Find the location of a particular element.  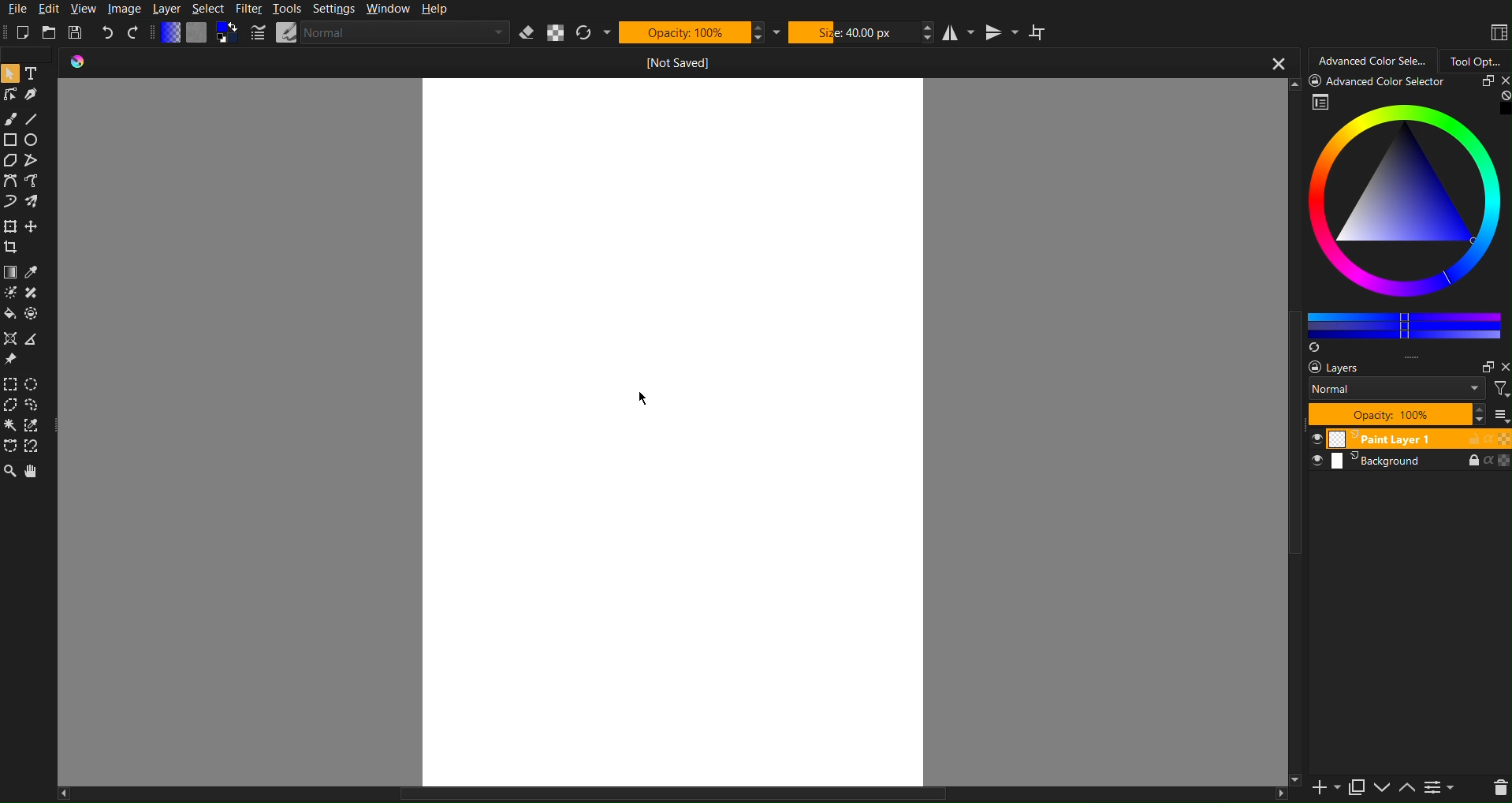

Pointer is located at coordinates (9, 73).